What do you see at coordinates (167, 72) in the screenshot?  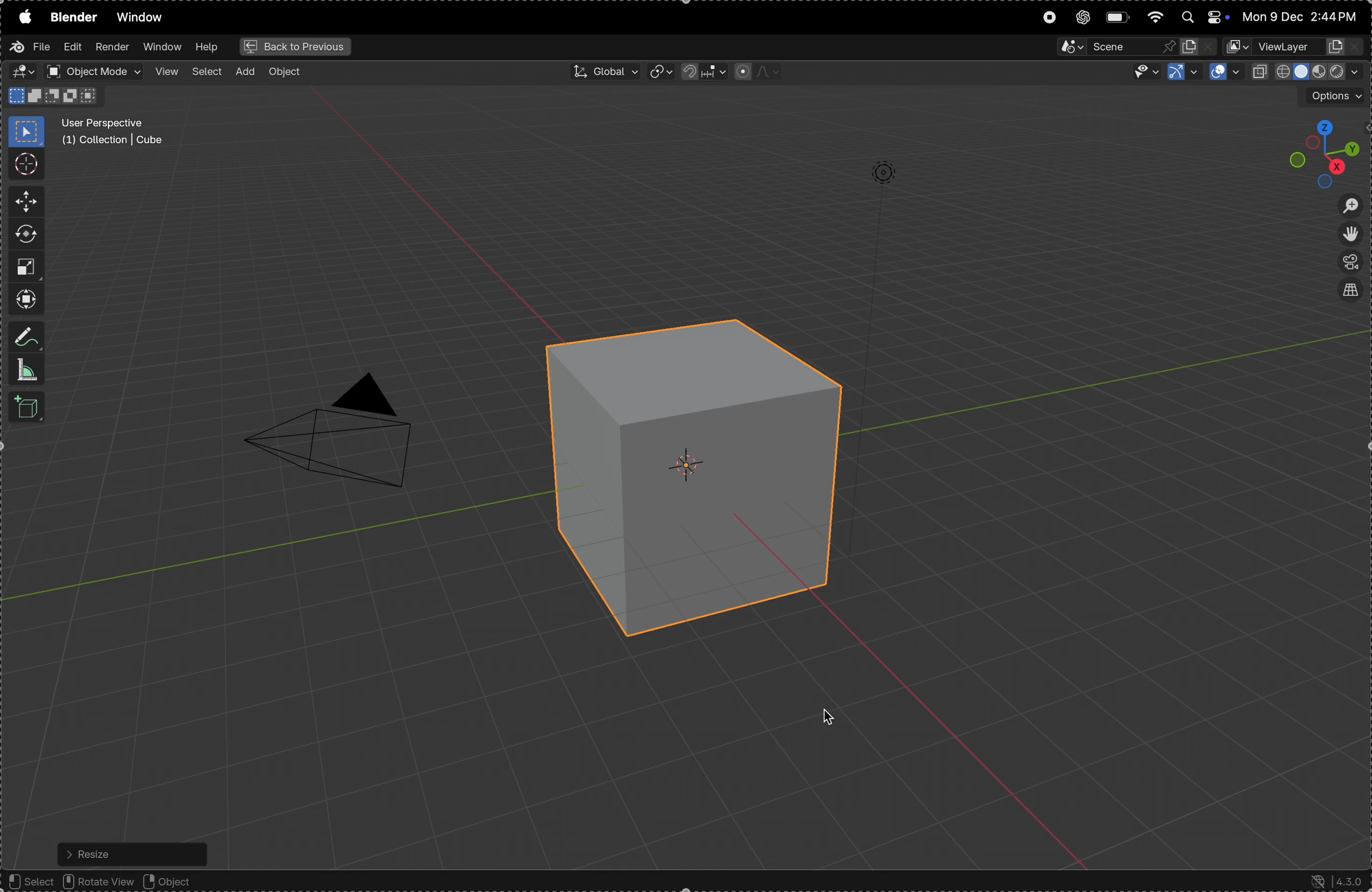 I see `view` at bounding box center [167, 72].